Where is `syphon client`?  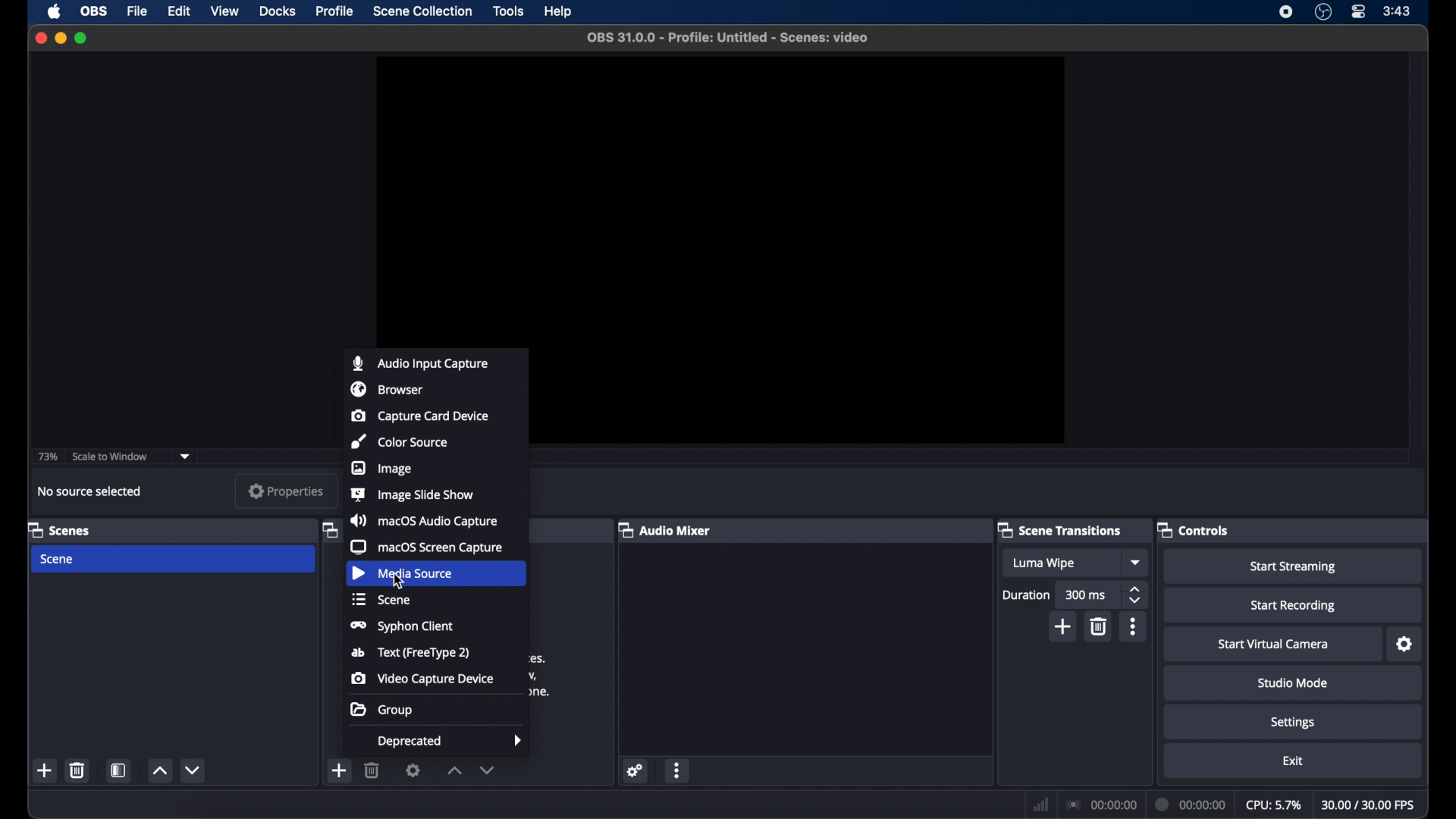 syphon client is located at coordinates (401, 626).